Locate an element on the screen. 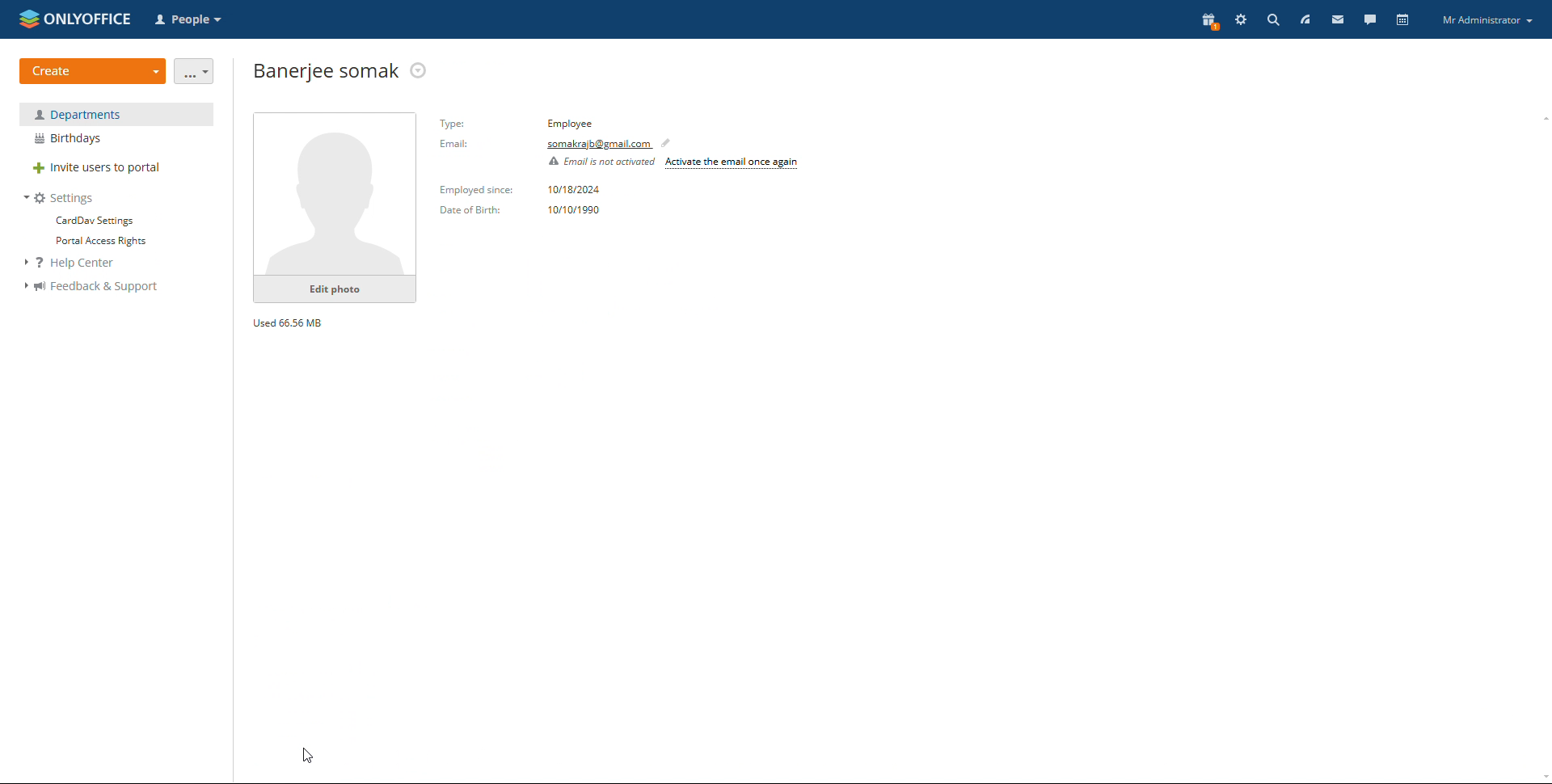 Image resolution: width=1552 pixels, height=784 pixels. profile photo is located at coordinates (335, 195).